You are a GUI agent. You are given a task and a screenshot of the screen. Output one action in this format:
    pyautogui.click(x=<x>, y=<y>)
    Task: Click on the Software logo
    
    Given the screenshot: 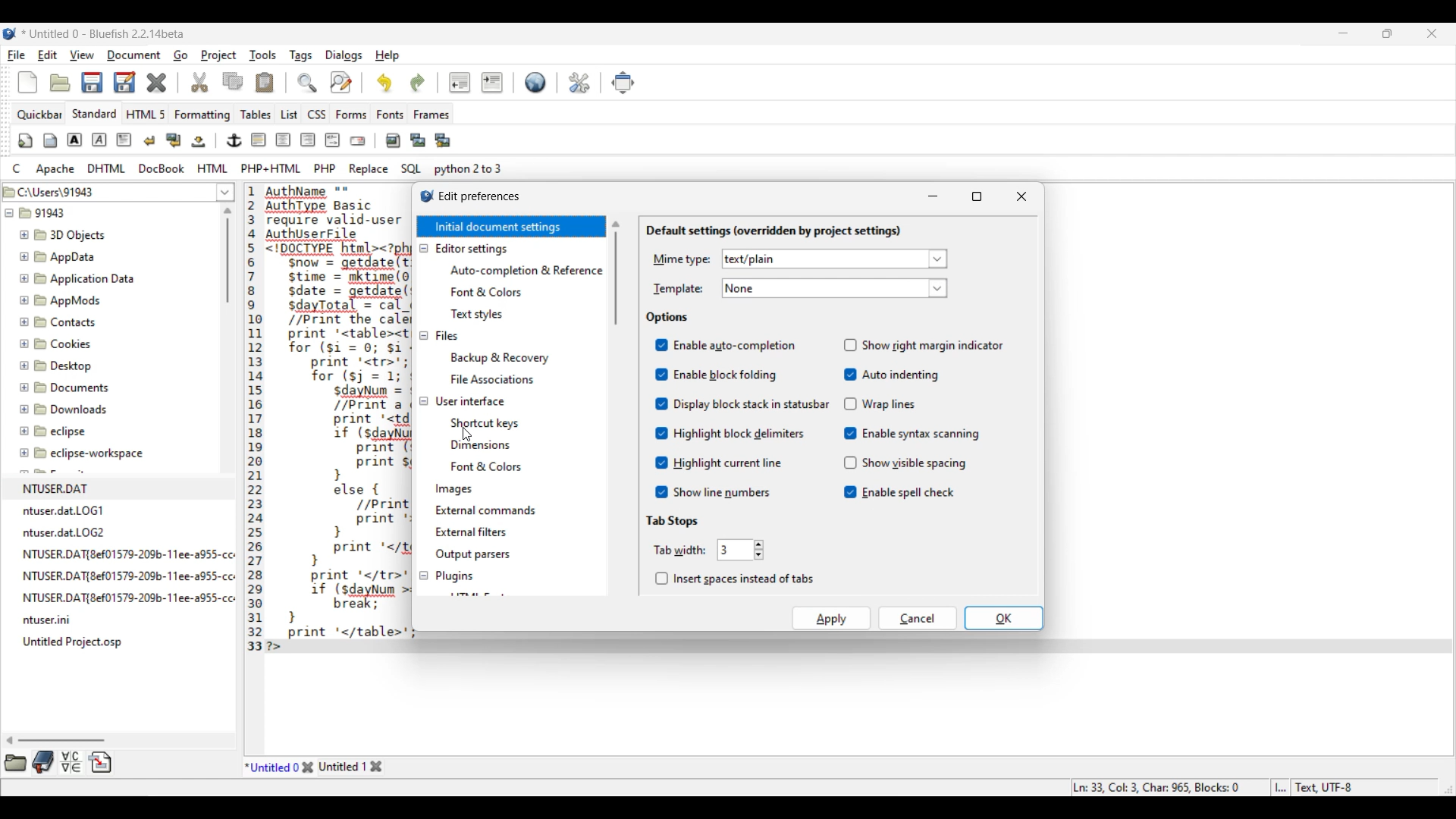 What is the action you would take?
    pyautogui.click(x=10, y=34)
    